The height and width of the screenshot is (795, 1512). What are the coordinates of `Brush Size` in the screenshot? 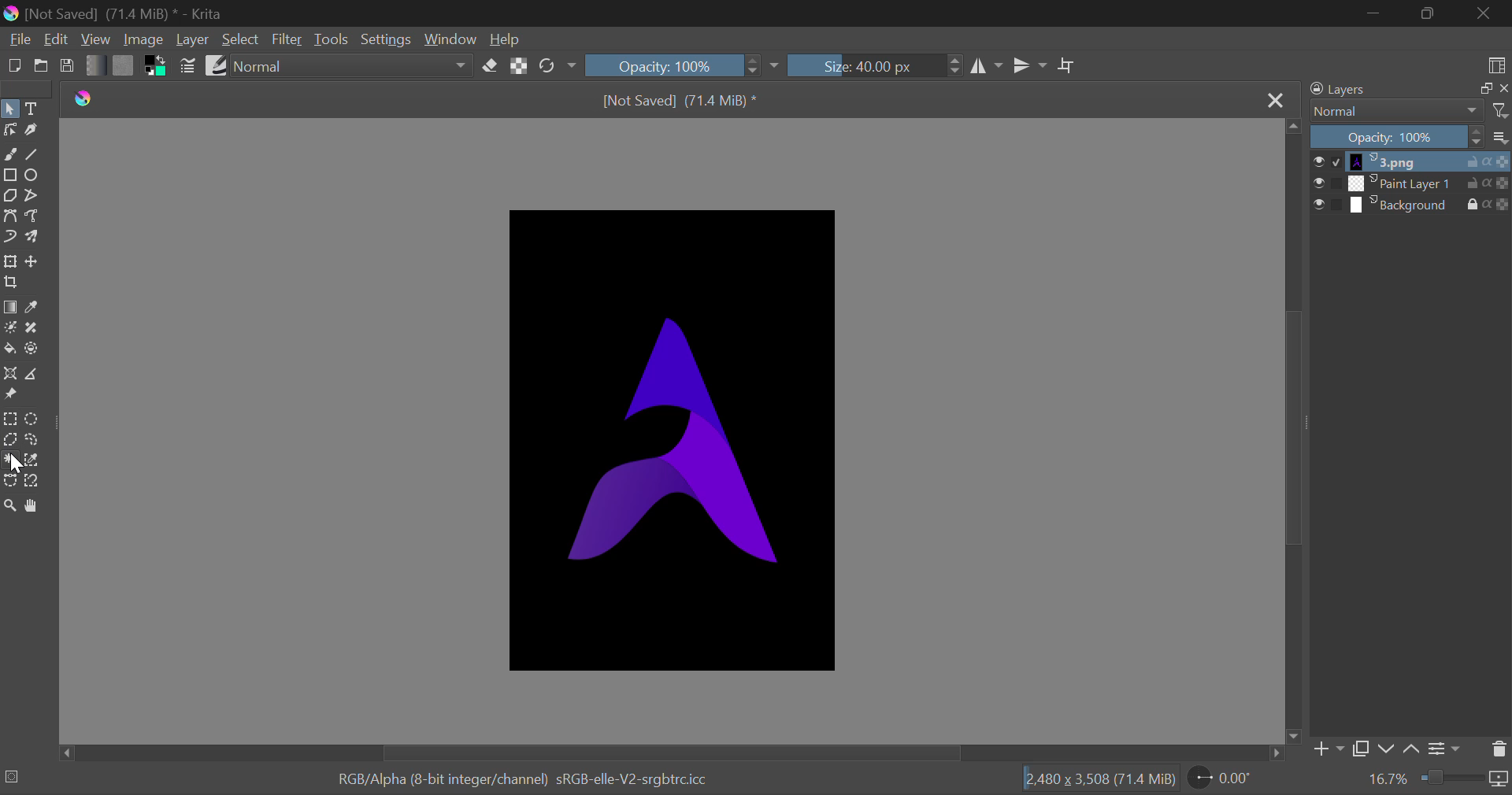 It's located at (875, 66).